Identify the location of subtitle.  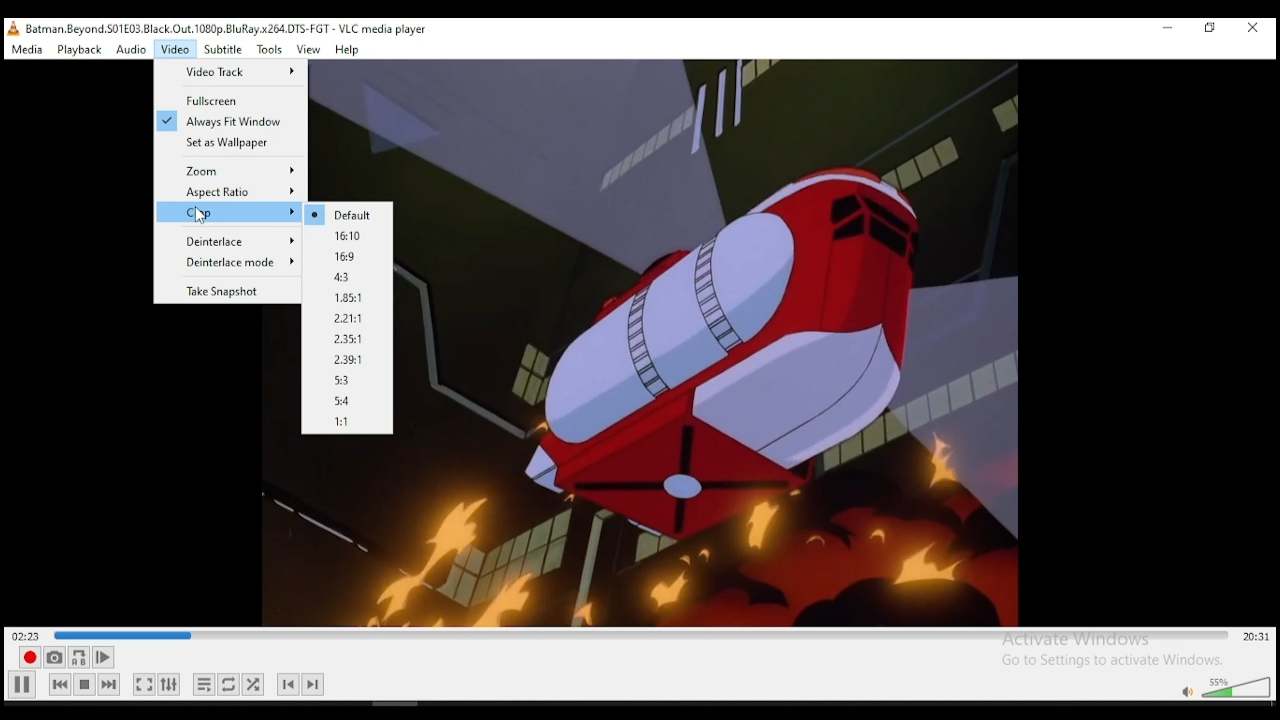
(224, 49).